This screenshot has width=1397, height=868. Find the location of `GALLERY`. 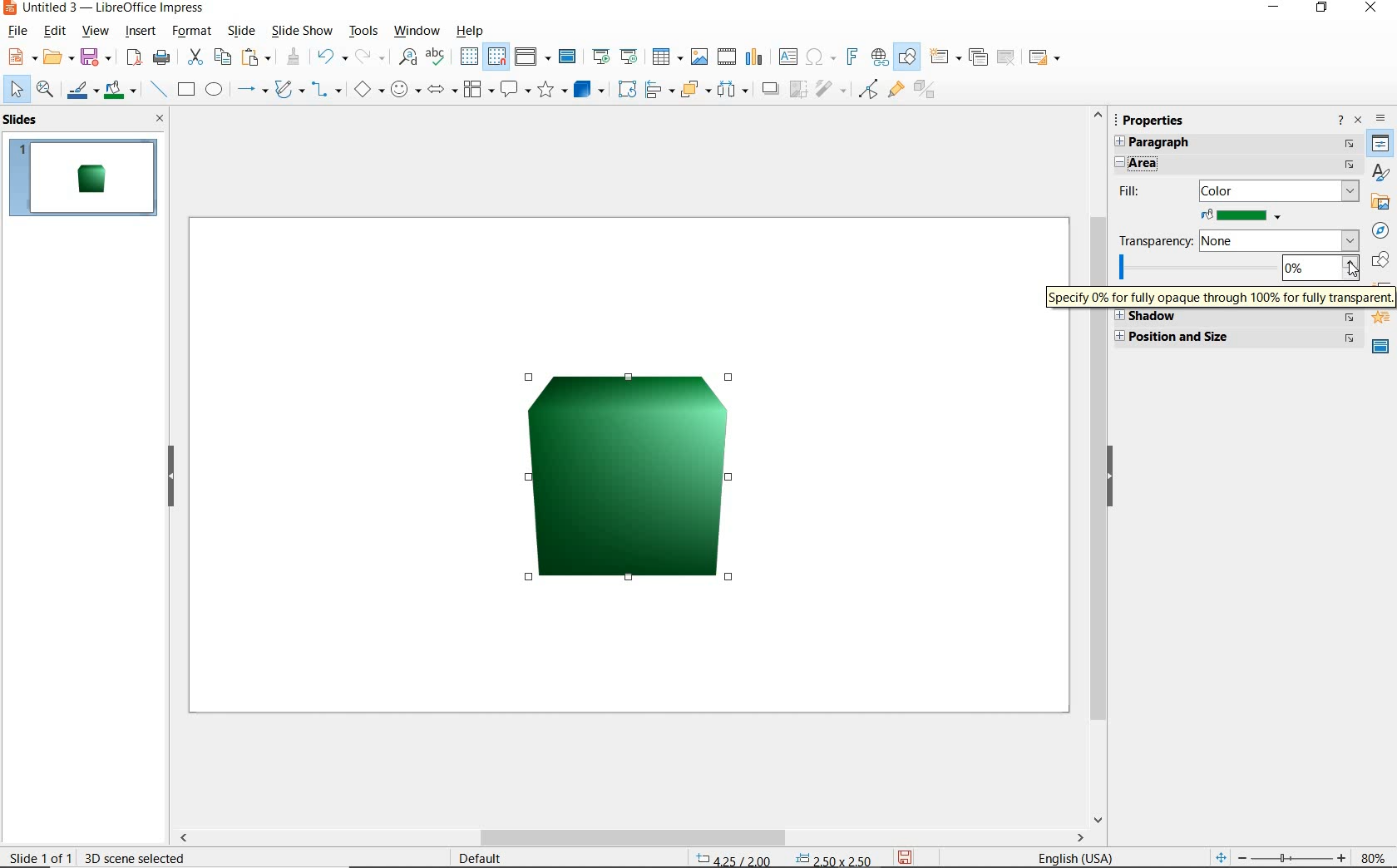

GALLERY is located at coordinates (1380, 204).